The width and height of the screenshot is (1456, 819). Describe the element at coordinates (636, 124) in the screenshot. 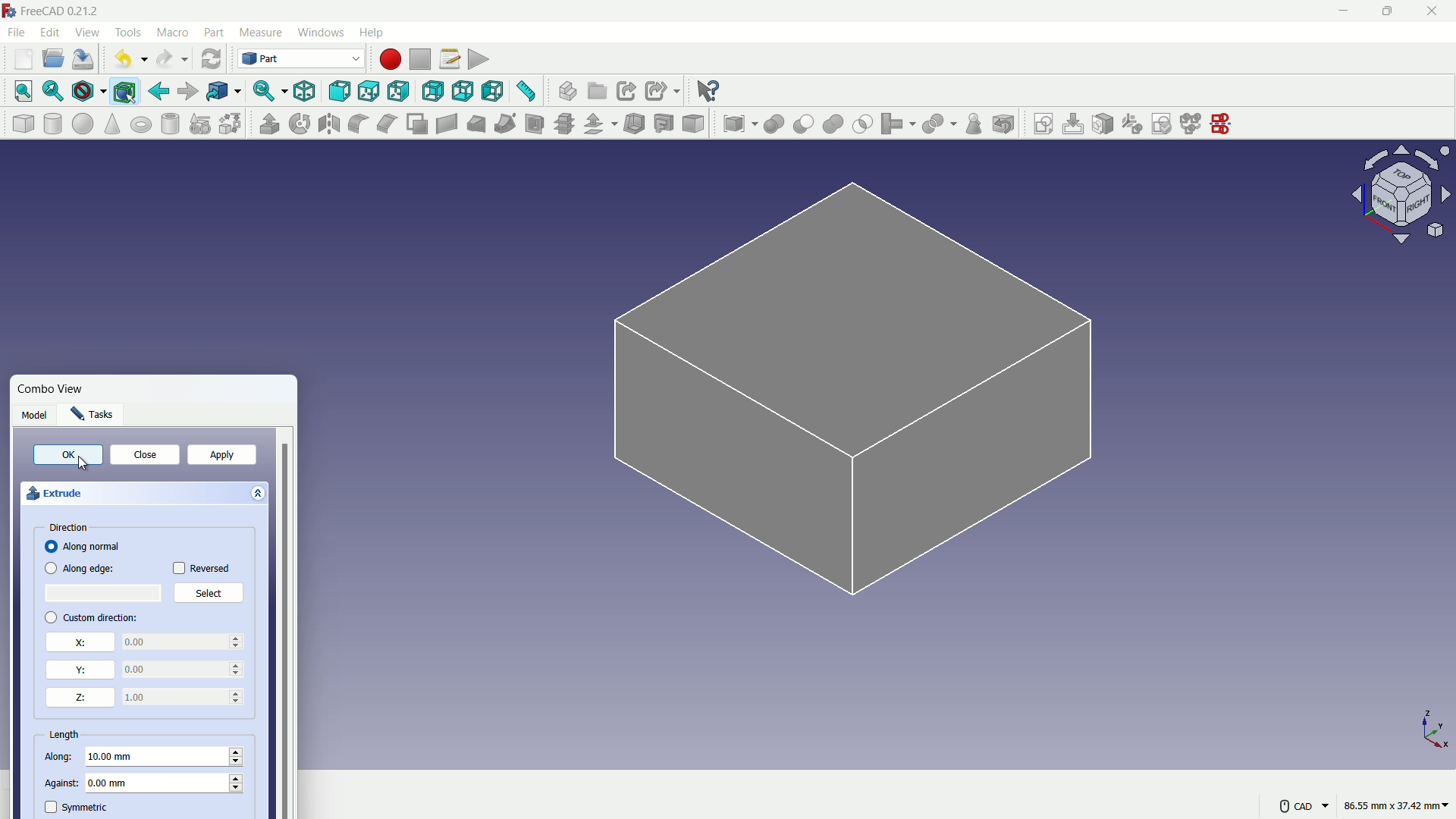

I see `thickness` at that location.